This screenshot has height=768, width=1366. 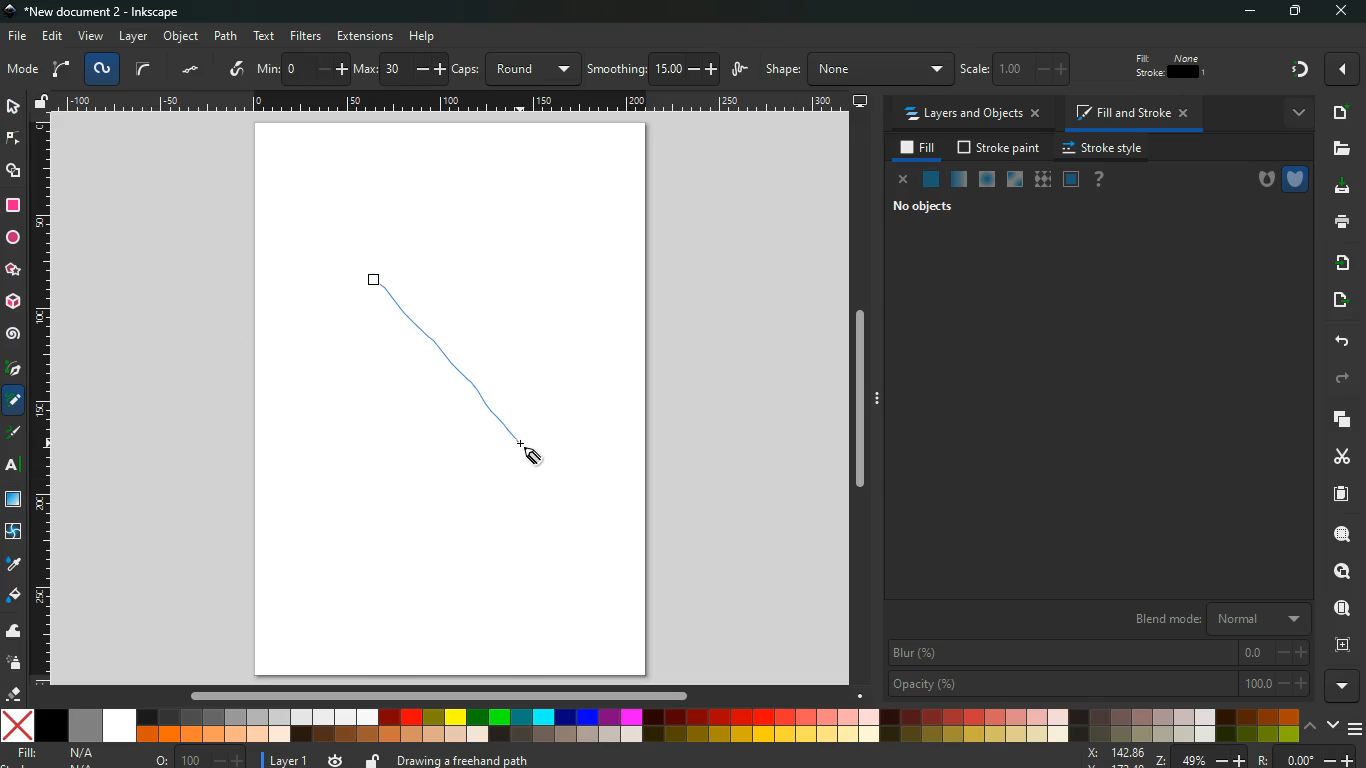 I want to click on rectangle, so click(x=13, y=207).